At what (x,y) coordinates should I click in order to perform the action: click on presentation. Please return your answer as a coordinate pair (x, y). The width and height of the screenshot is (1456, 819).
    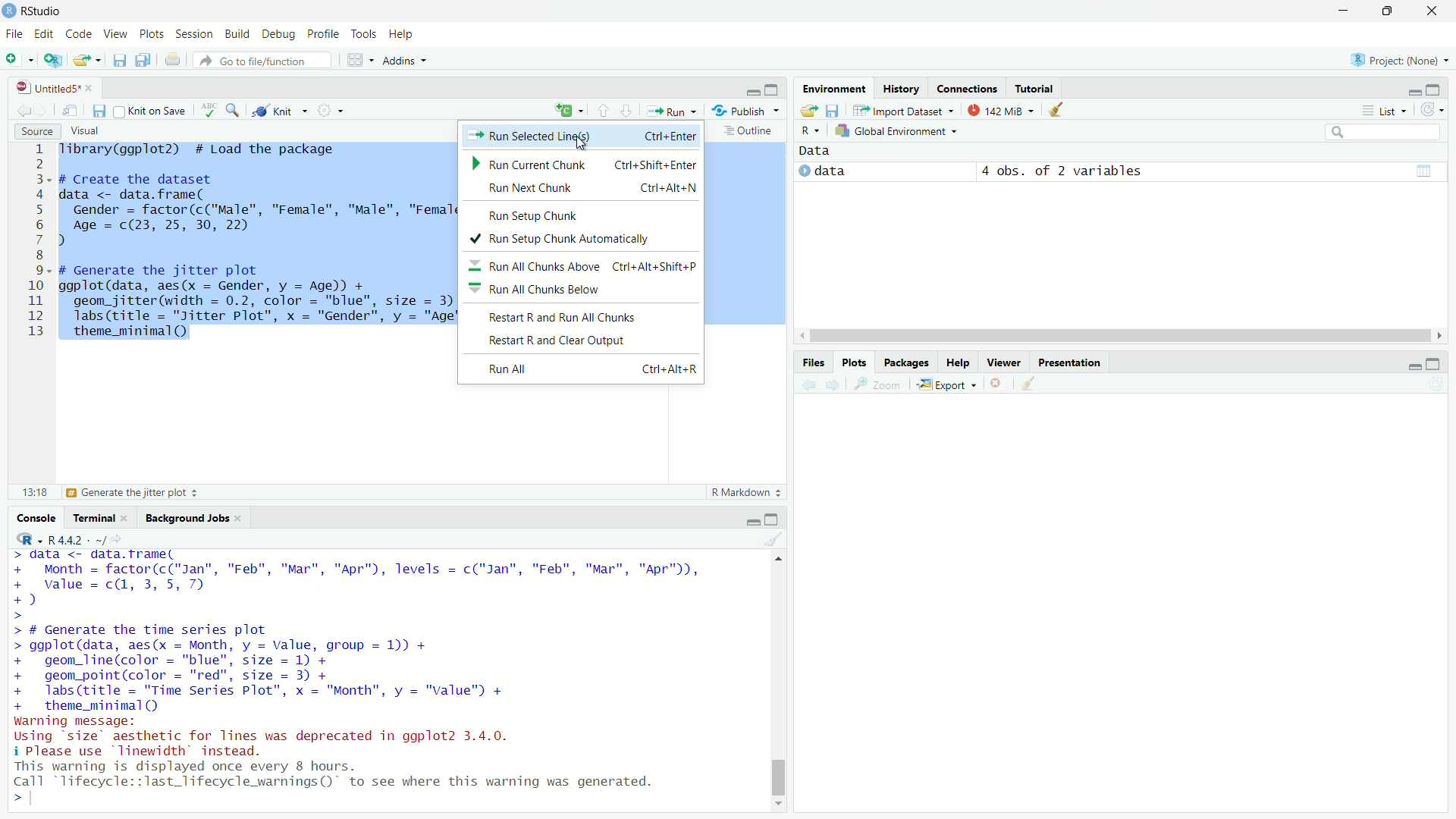
    Looking at the image, I should click on (1069, 362).